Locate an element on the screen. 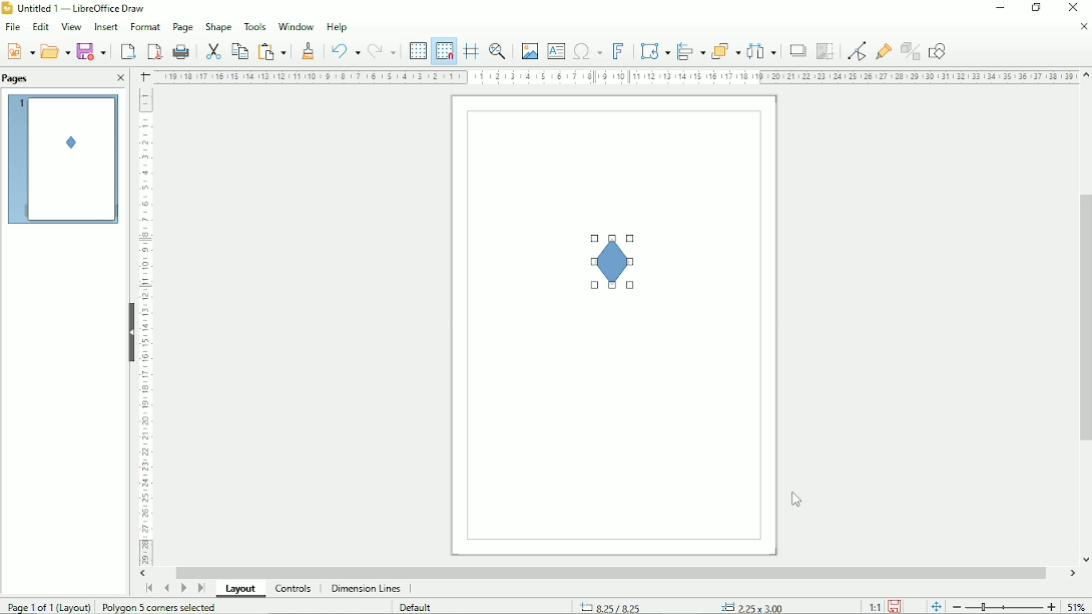  Fit page to current window is located at coordinates (935, 605).